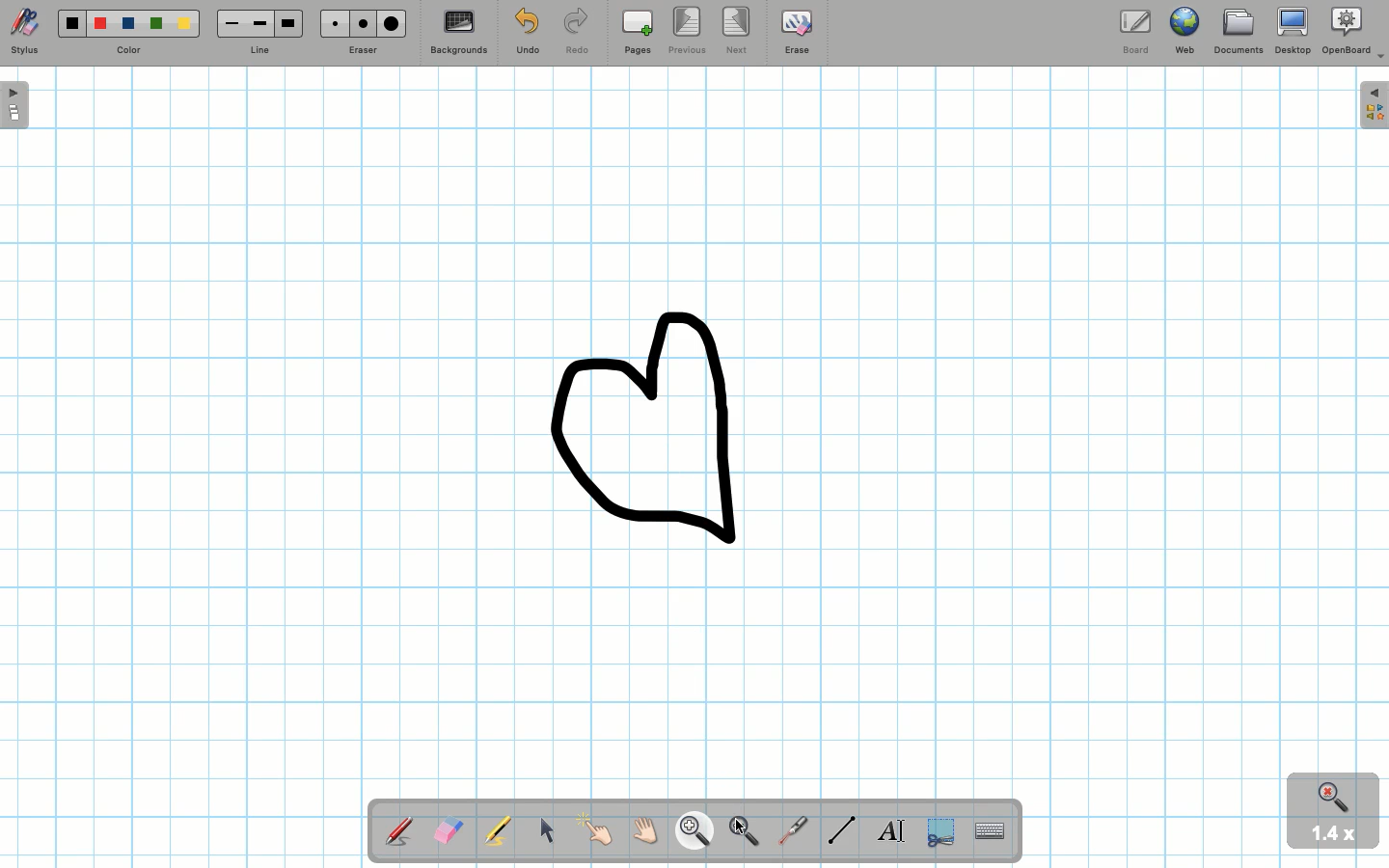  Describe the element at coordinates (1139, 30) in the screenshot. I see `Board` at that location.